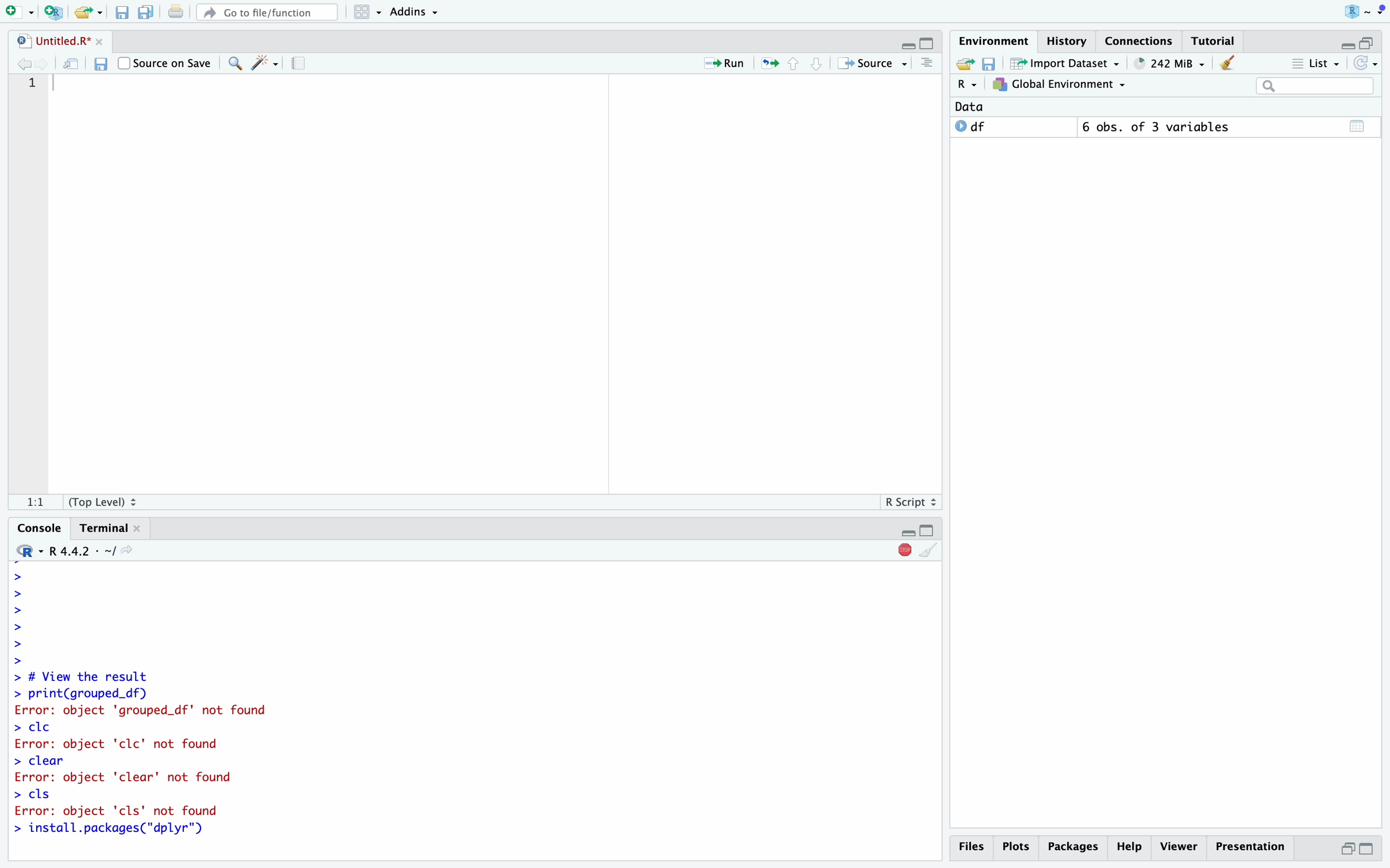 The height and width of the screenshot is (868, 1390). What do you see at coordinates (365, 13) in the screenshot?
I see `Workspace panes` at bounding box center [365, 13].